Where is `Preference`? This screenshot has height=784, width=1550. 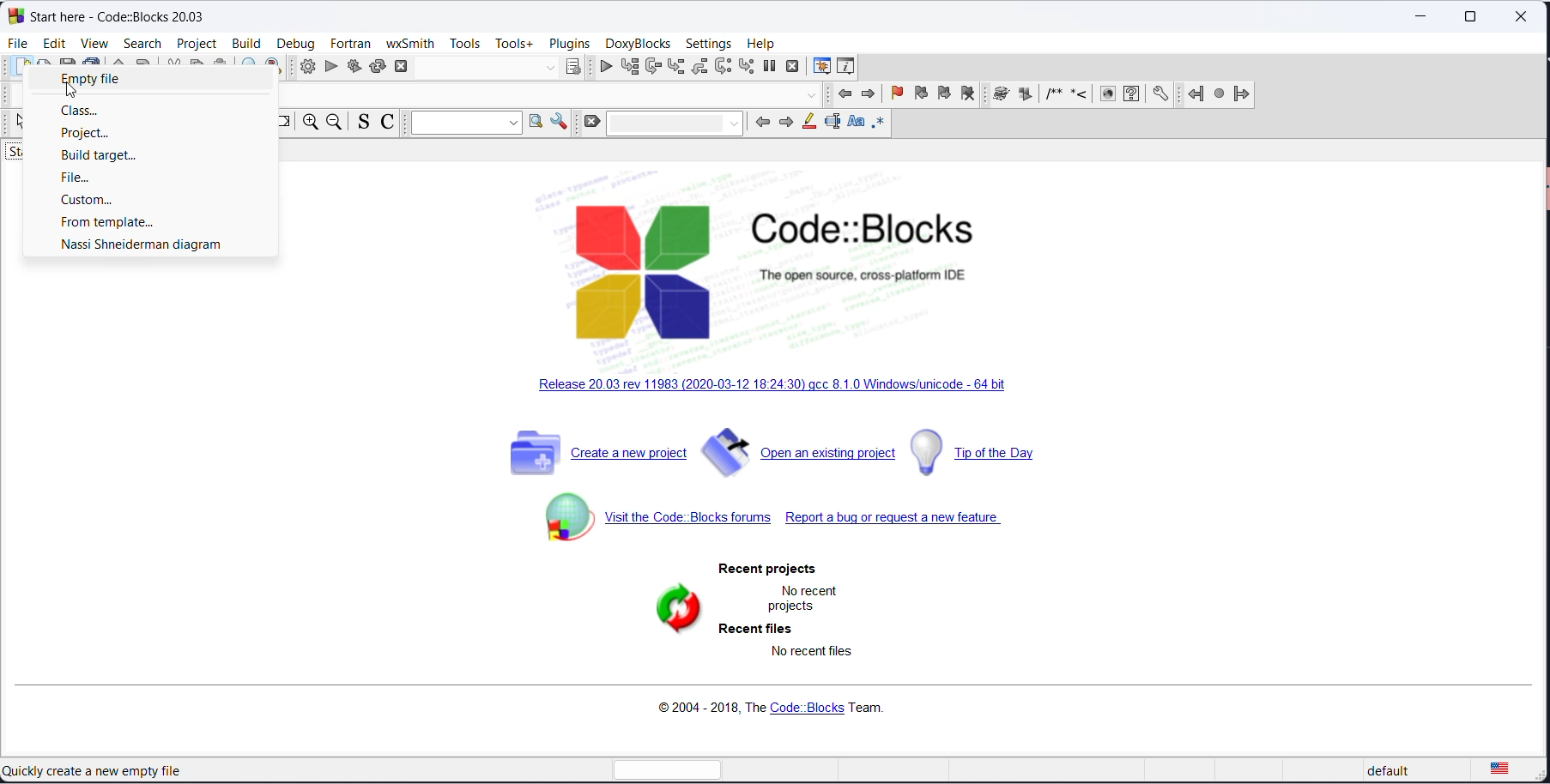 Preference is located at coordinates (1161, 96).